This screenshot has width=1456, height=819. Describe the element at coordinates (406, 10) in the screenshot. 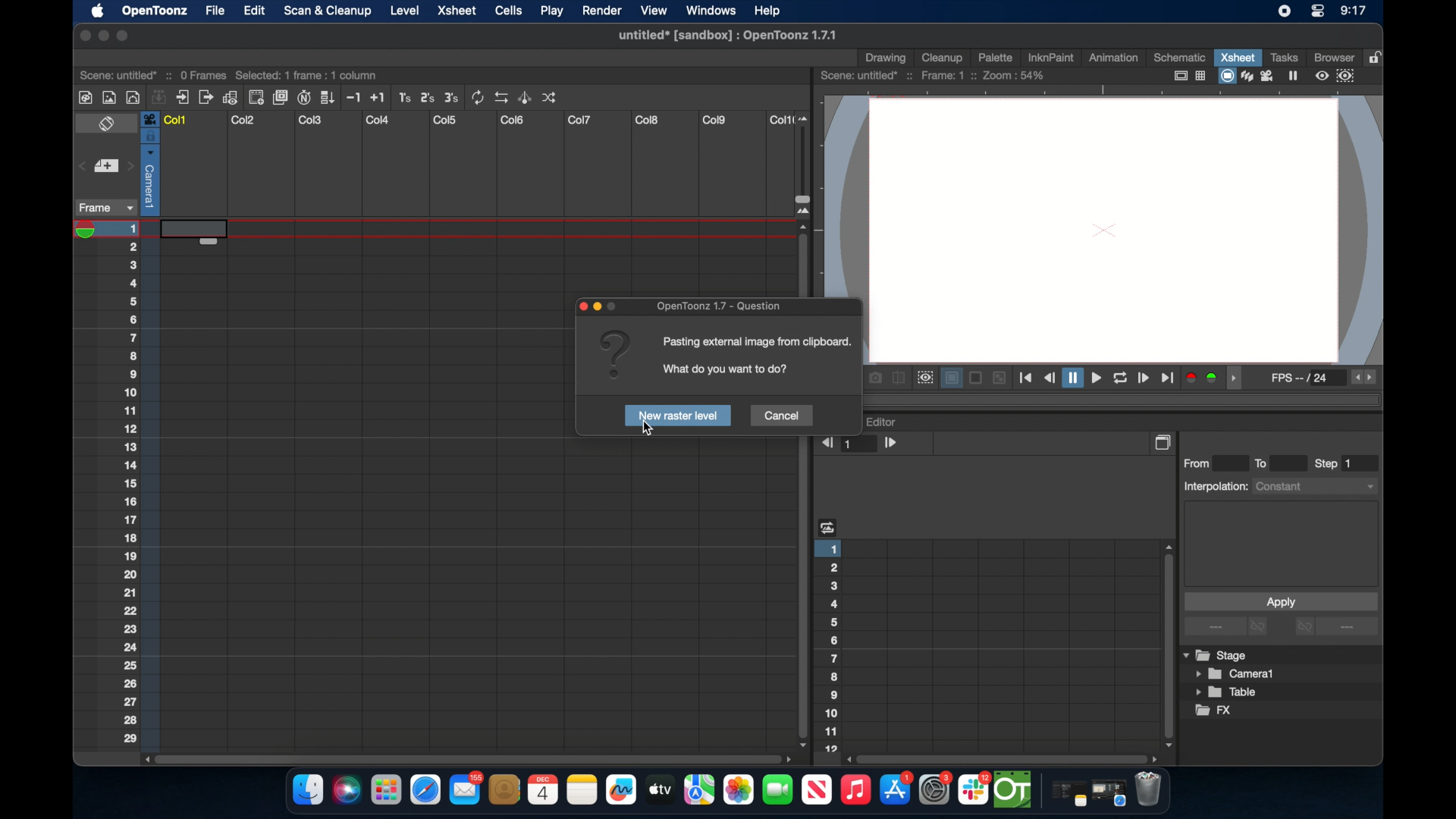

I see `level` at that location.